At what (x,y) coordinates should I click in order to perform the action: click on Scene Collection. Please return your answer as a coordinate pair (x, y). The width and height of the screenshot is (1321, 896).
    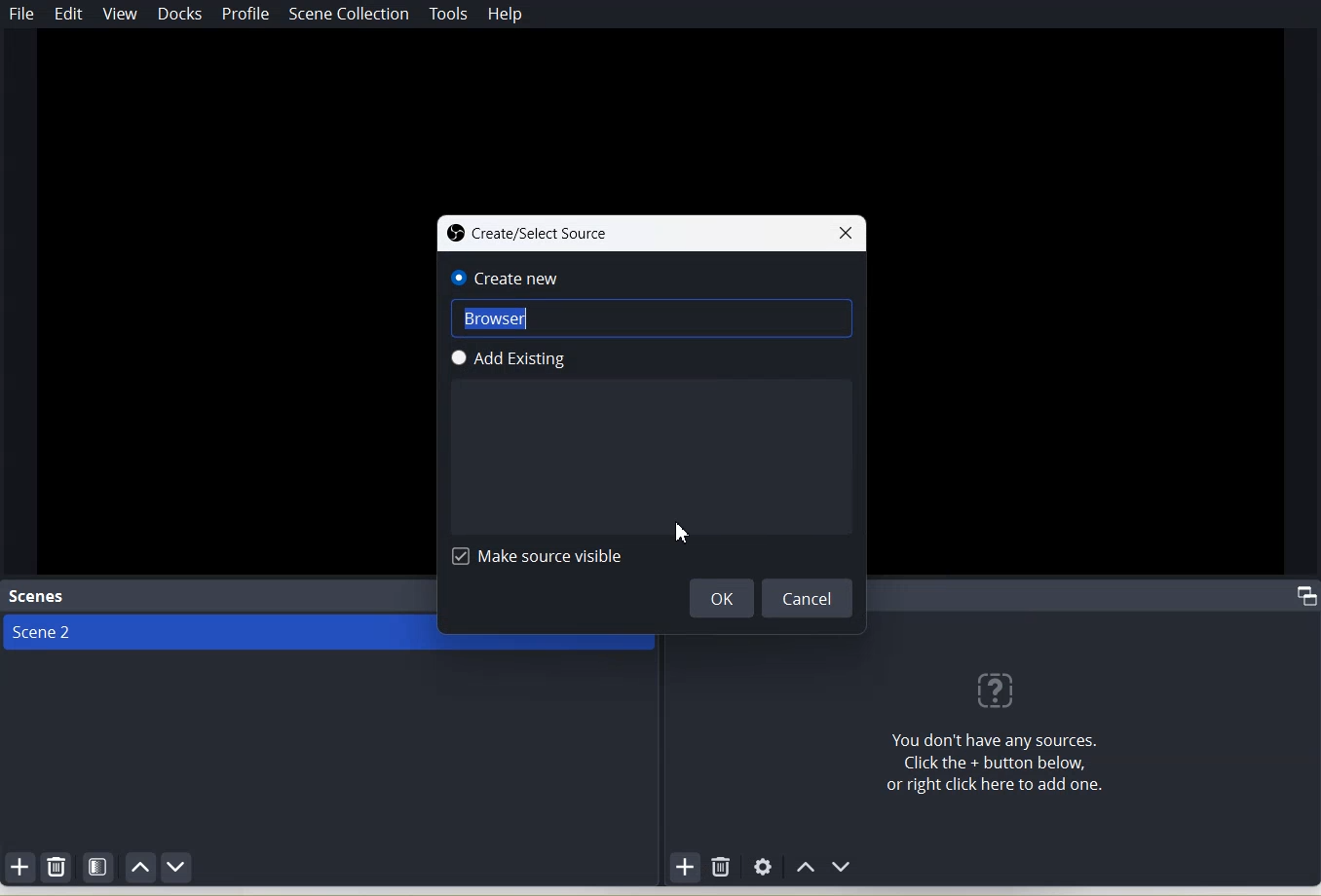
    Looking at the image, I should click on (348, 14).